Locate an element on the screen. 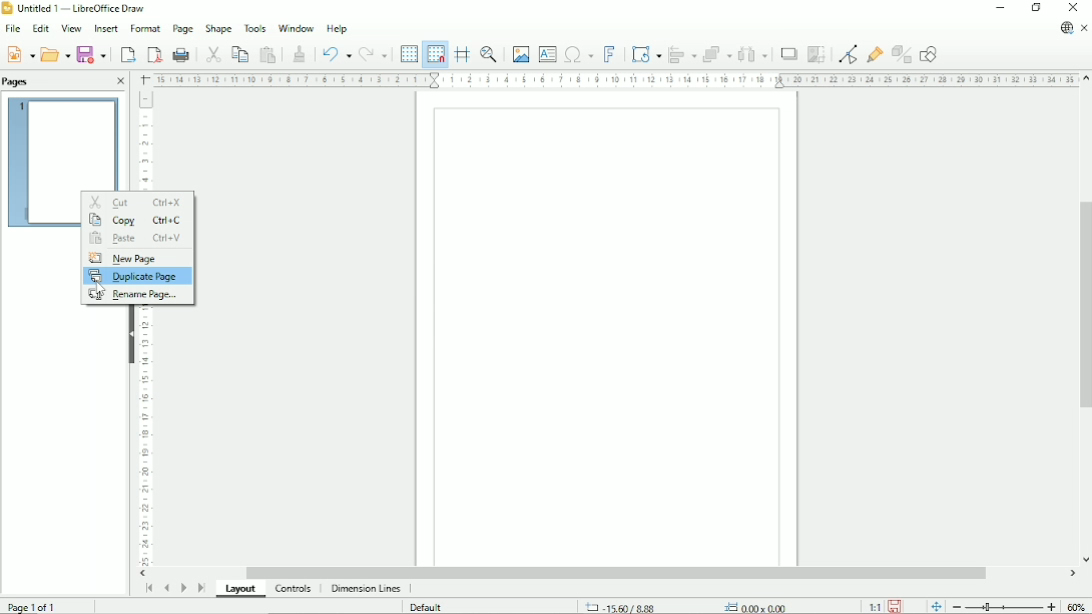  Scroll to next page is located at coordinates (183, 588).